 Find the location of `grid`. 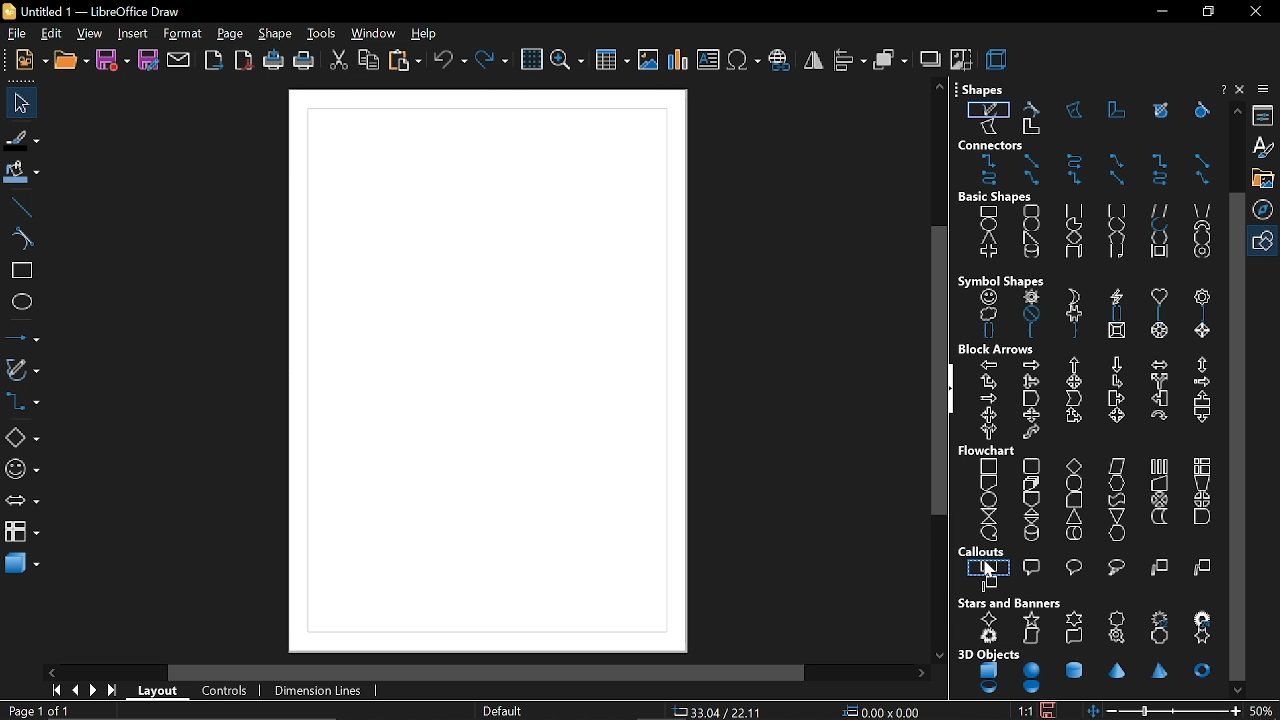

grid is located at coordinates (530, 61).